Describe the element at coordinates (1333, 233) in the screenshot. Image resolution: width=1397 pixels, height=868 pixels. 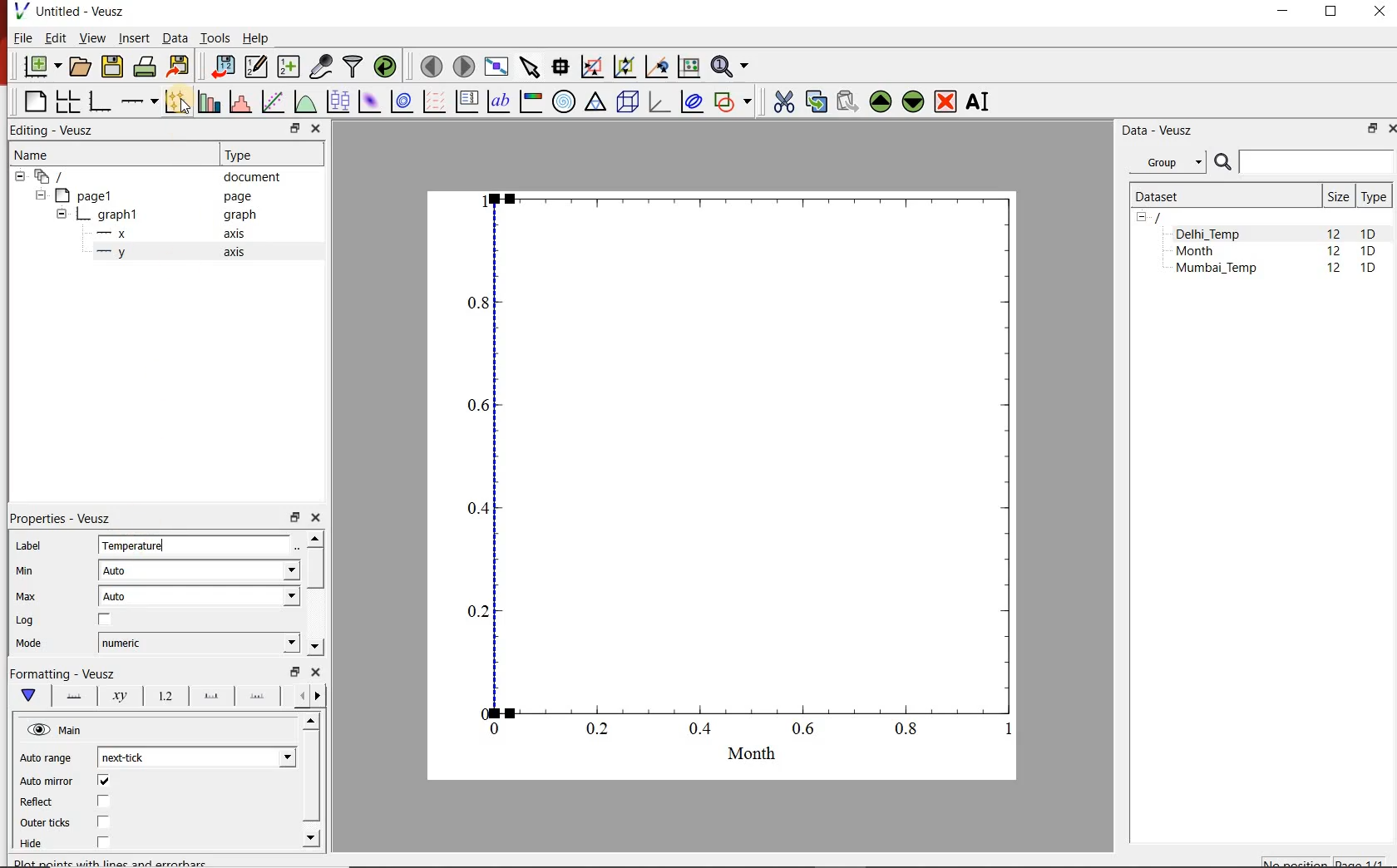
I see `12` at that location.